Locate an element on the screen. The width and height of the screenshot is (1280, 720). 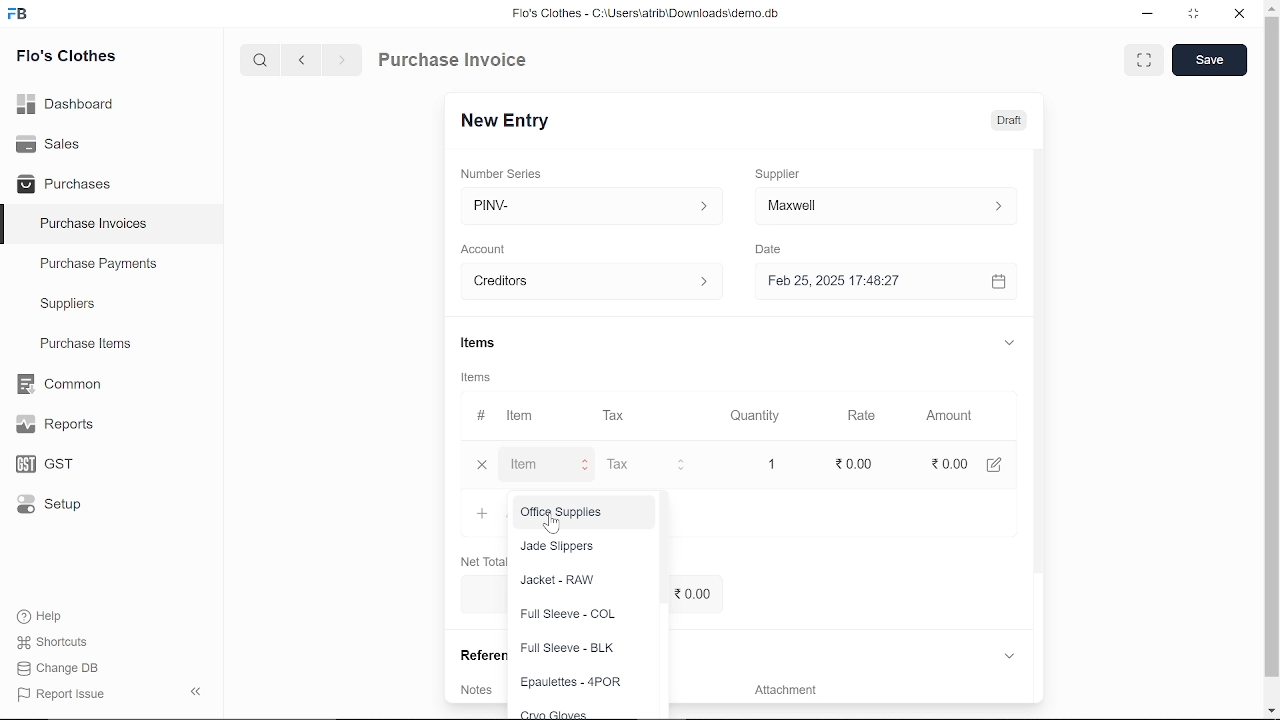
Tax is located at coordinates (626, 416).